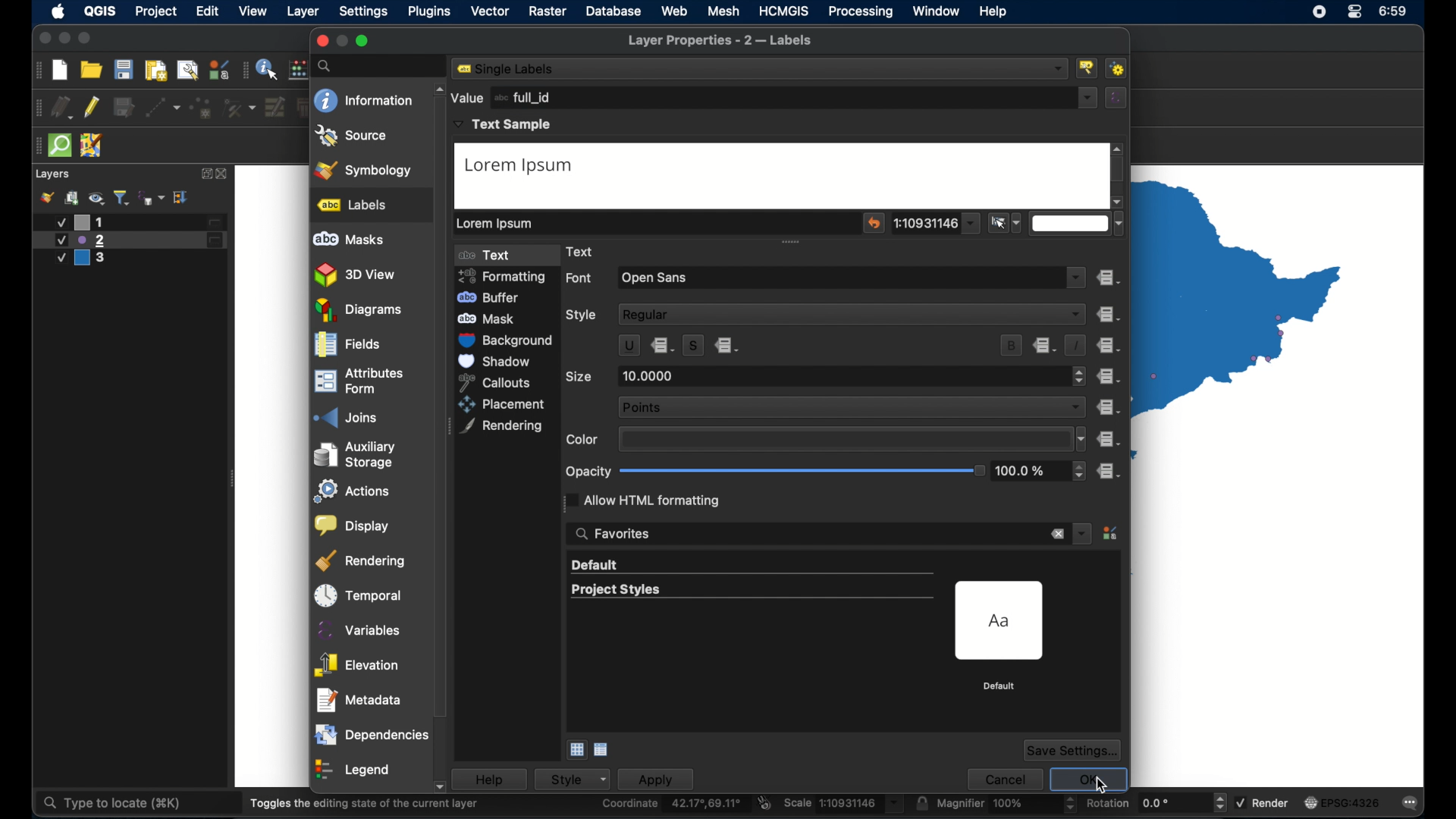 The width and height of the screenshot is (1456, 819). Describe the element at coordinates (1110, 471) in the screenshot. I see `data defined  override` at that location.